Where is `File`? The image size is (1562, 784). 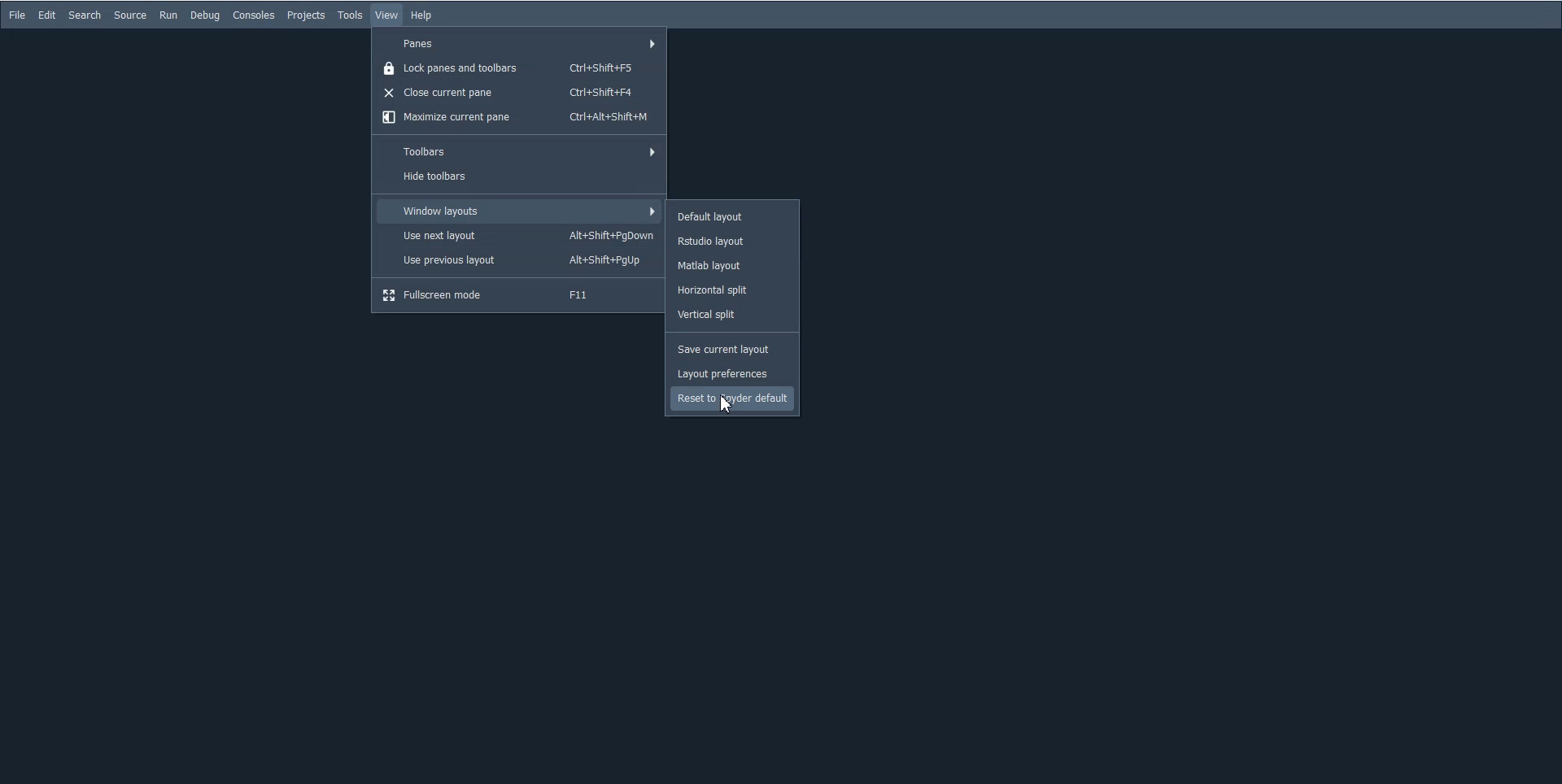 File is located at coordinates (18, 15).